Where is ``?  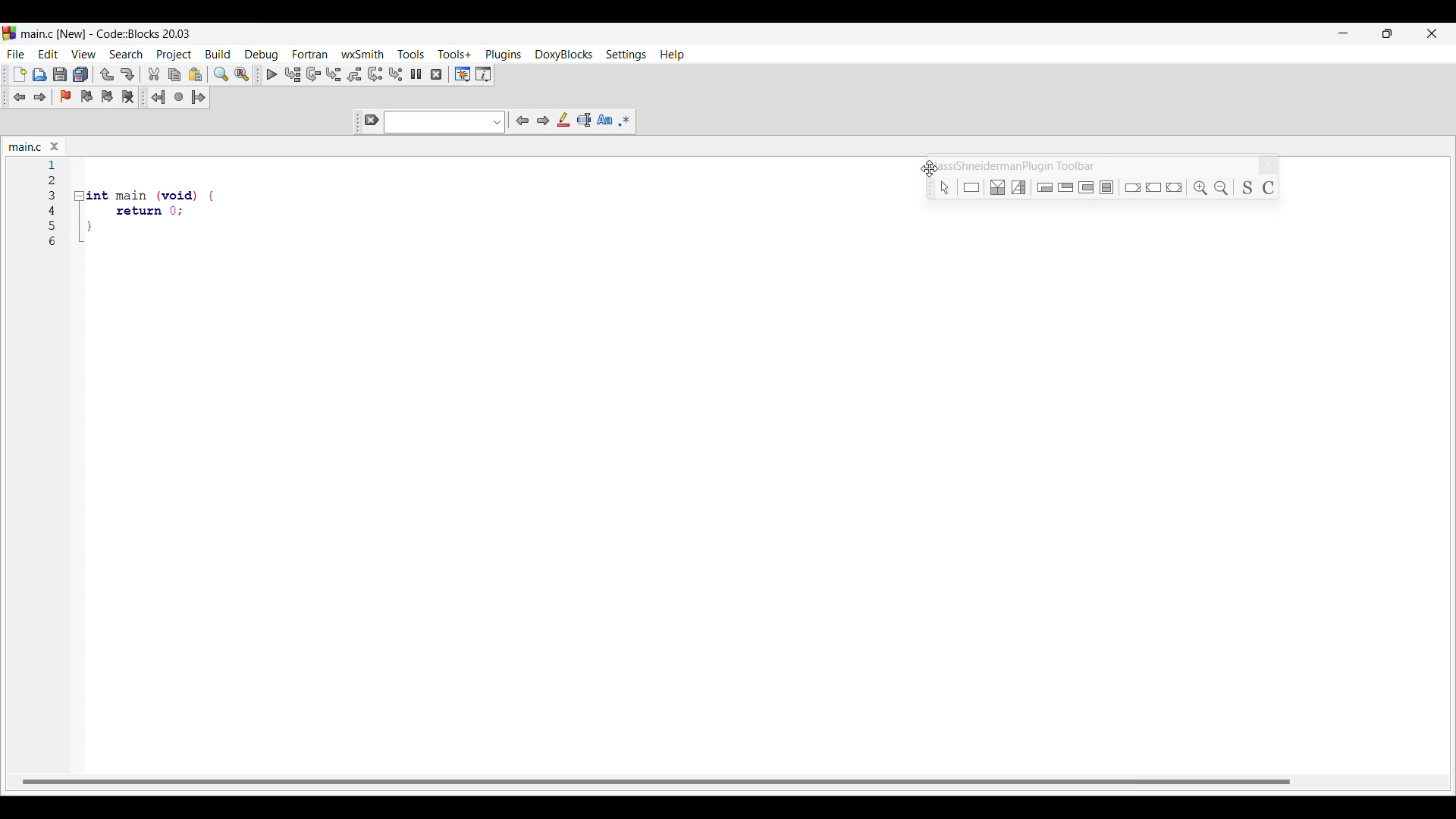
 is located at coordinates (52, 180).